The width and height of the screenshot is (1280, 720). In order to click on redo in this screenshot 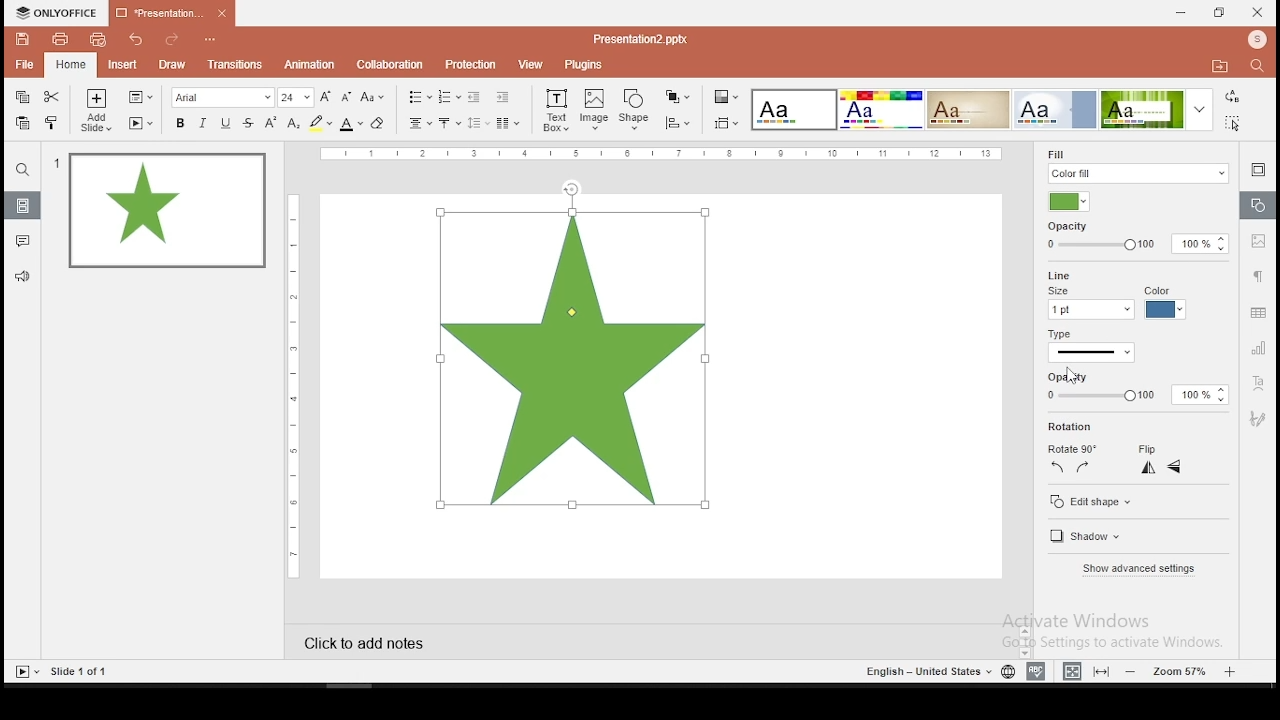, I will do `click(171, 41)`.